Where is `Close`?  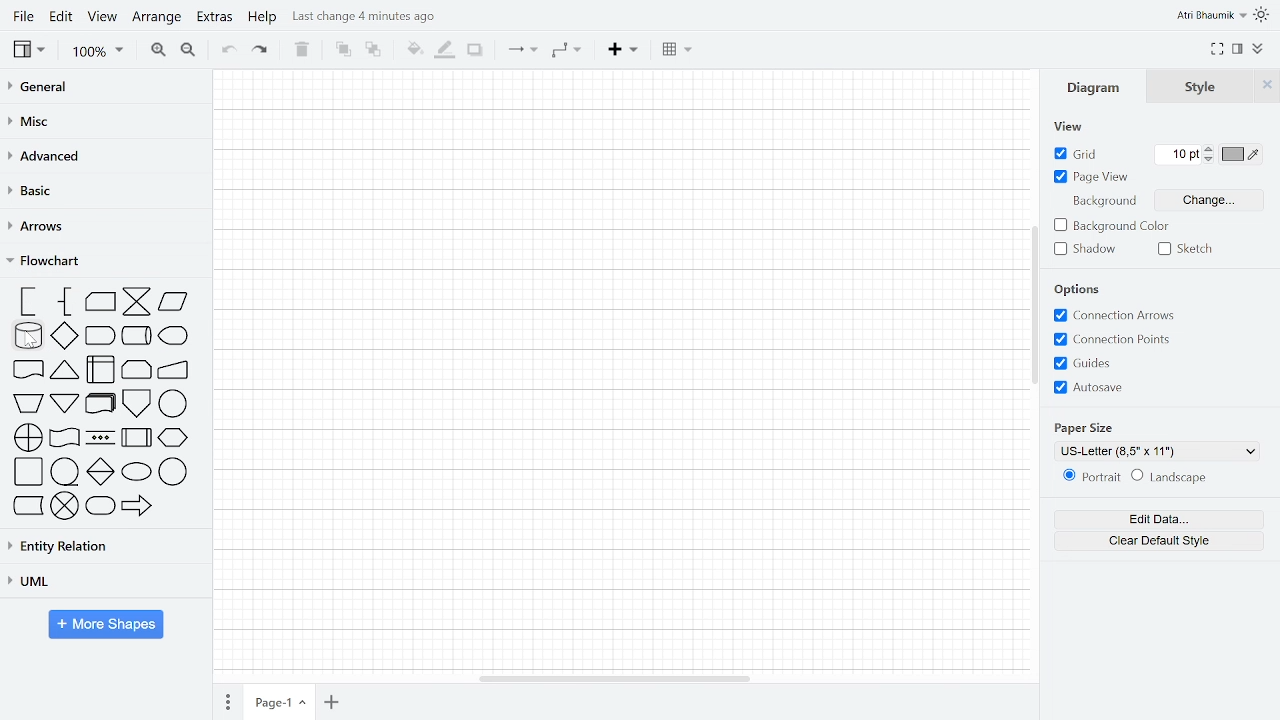 Close is located at coordinates (1266, 88).